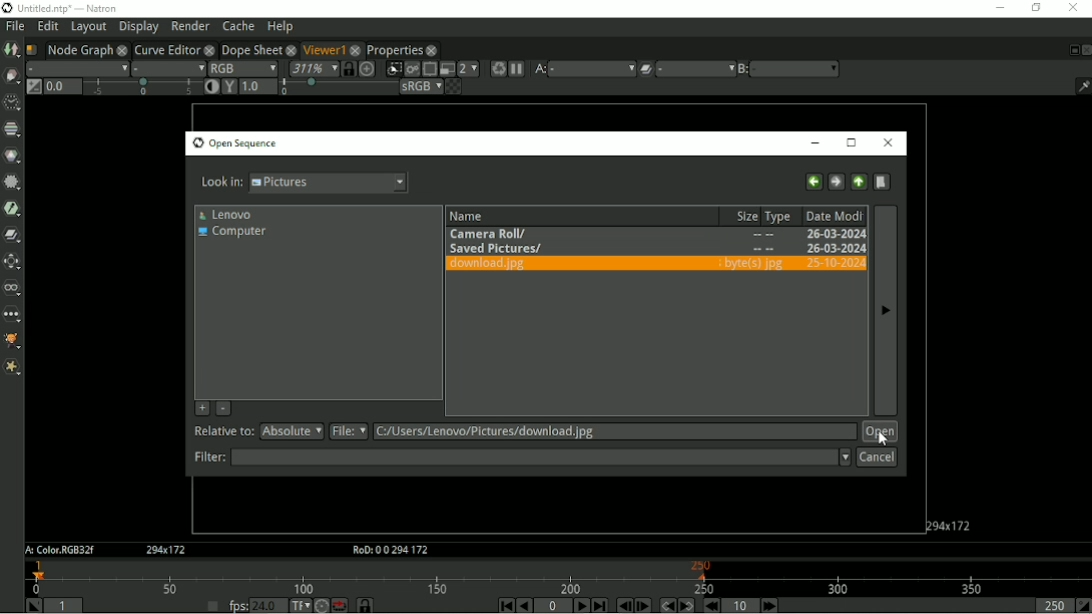  What do you see at coordinates (79, 49) in the screenshot?
I see `Node Graph` at bounding box center [79, 49].